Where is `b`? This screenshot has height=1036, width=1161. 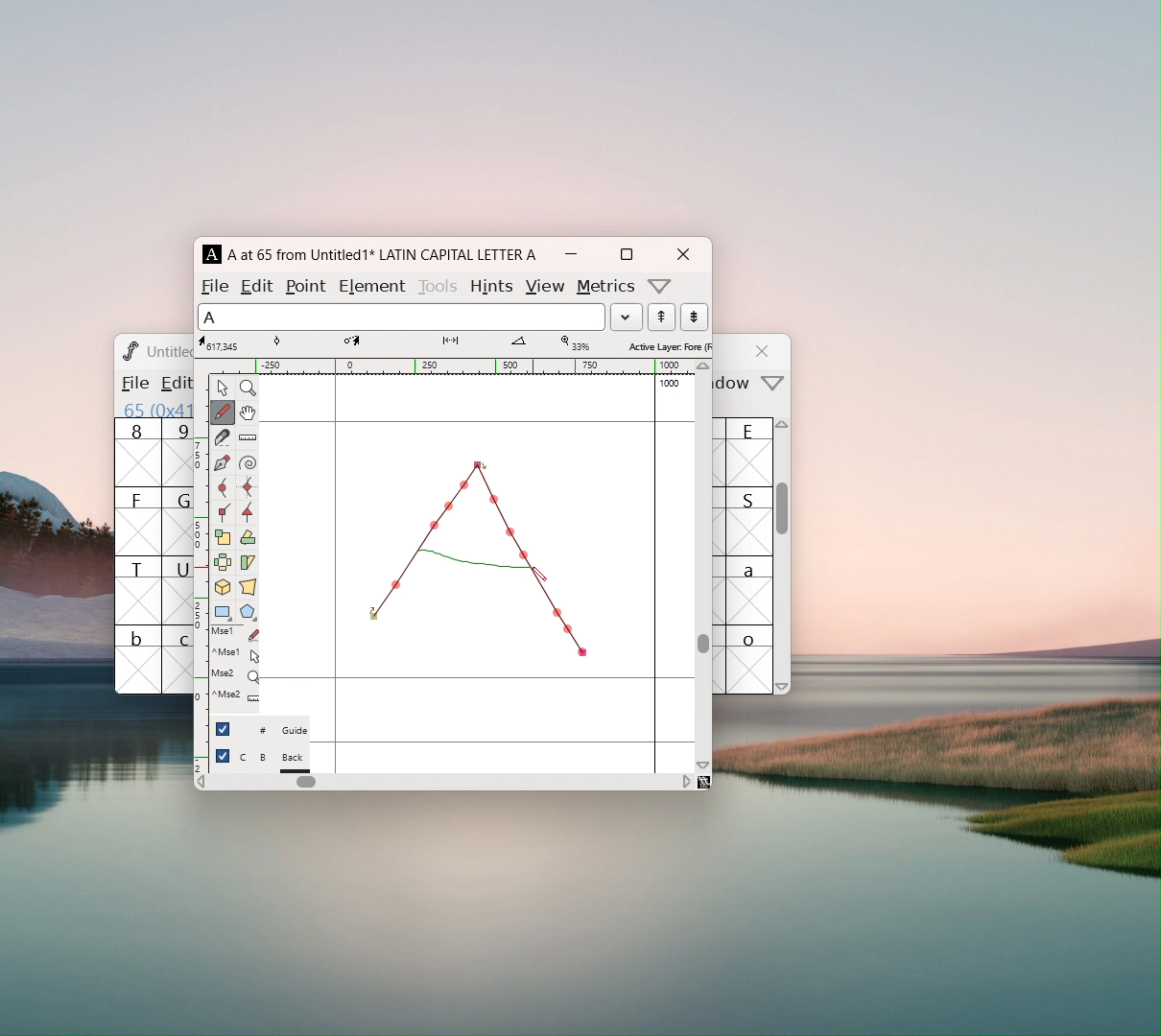
b is located at coordinates (138, 659).